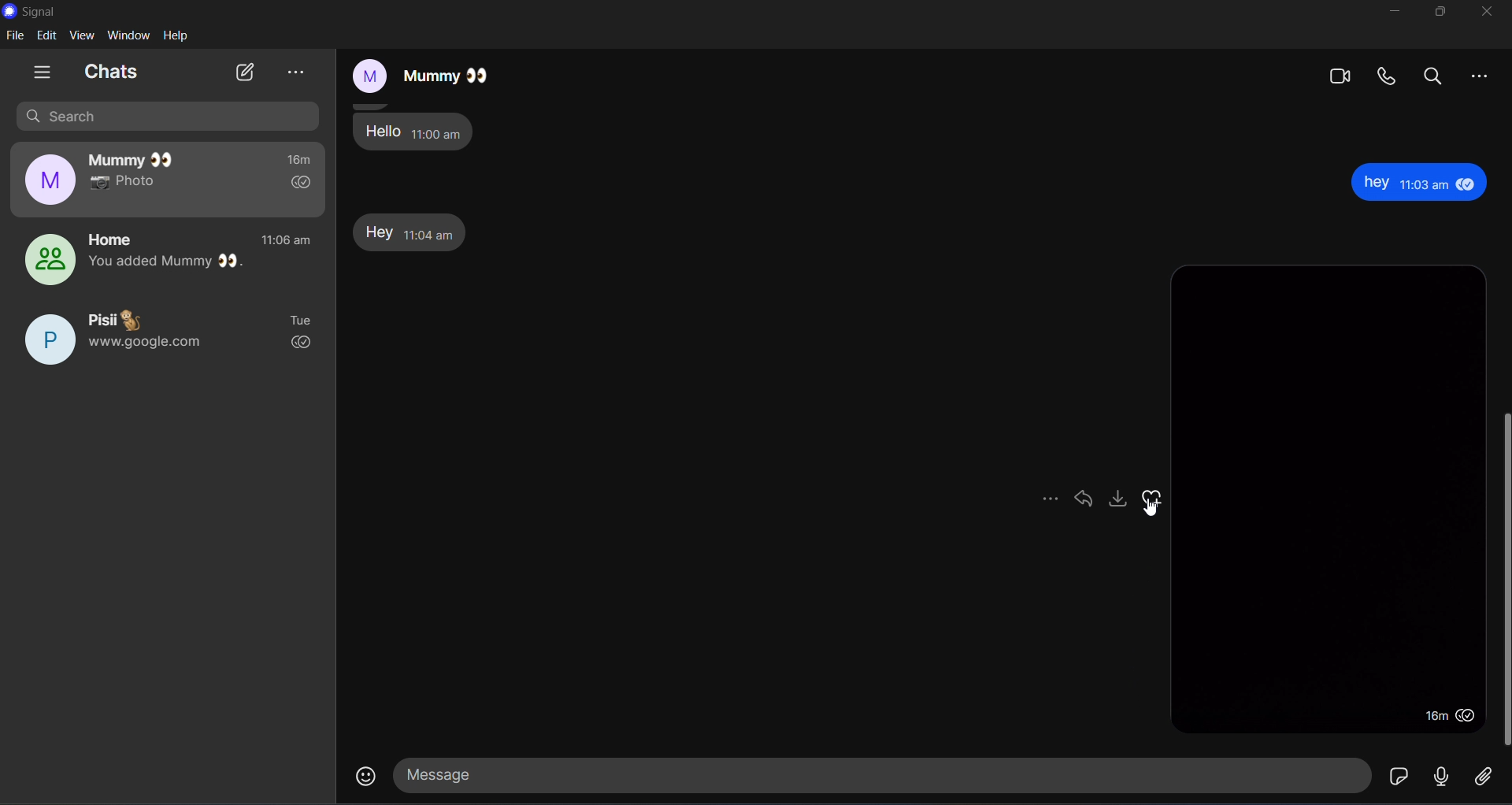  Describe the element at coordinates (168, 180) in the screenshot. I see `mummy chat` at that location.